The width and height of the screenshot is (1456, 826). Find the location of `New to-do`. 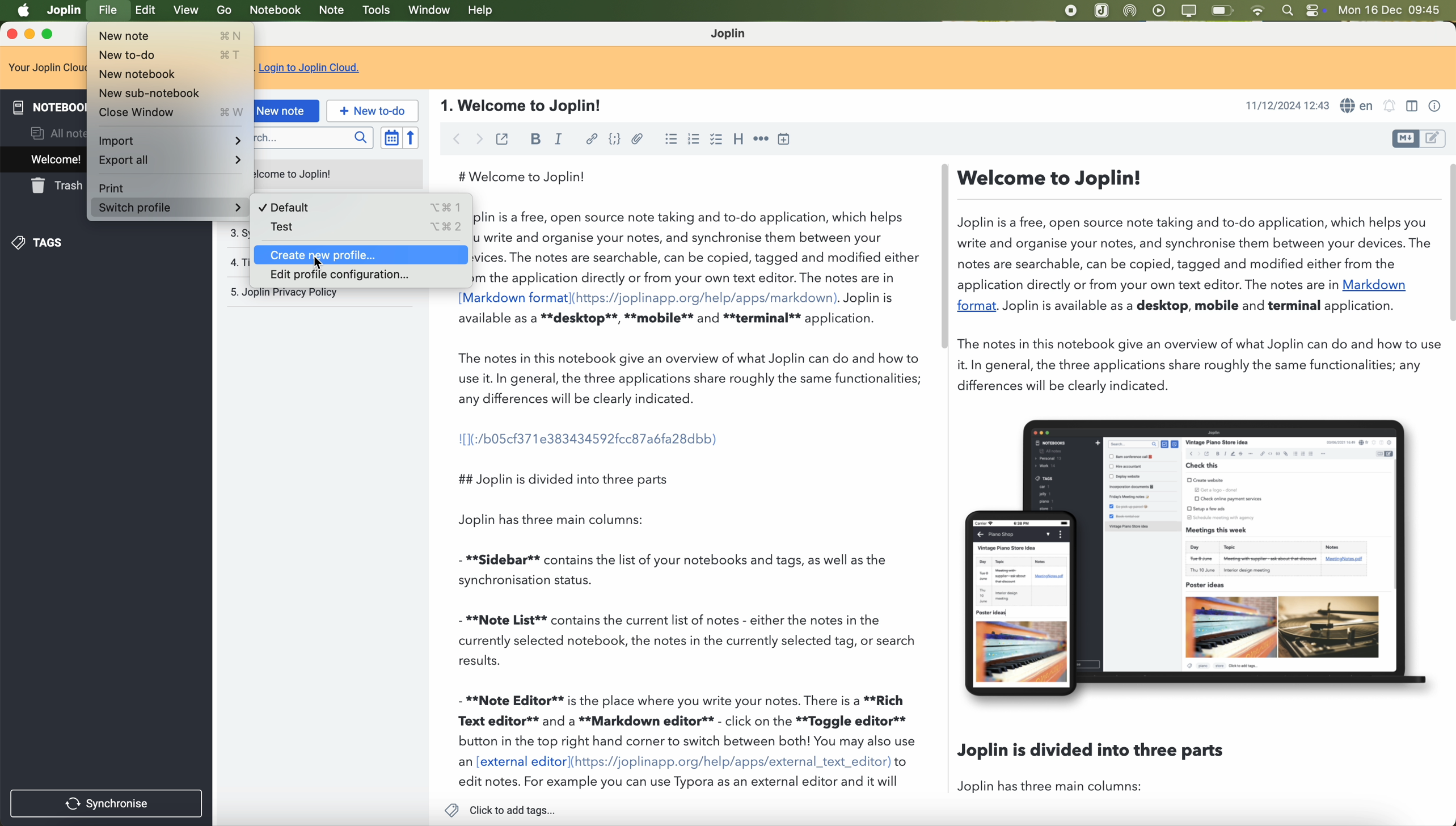

New to-do is located at coordinates (170, 56).